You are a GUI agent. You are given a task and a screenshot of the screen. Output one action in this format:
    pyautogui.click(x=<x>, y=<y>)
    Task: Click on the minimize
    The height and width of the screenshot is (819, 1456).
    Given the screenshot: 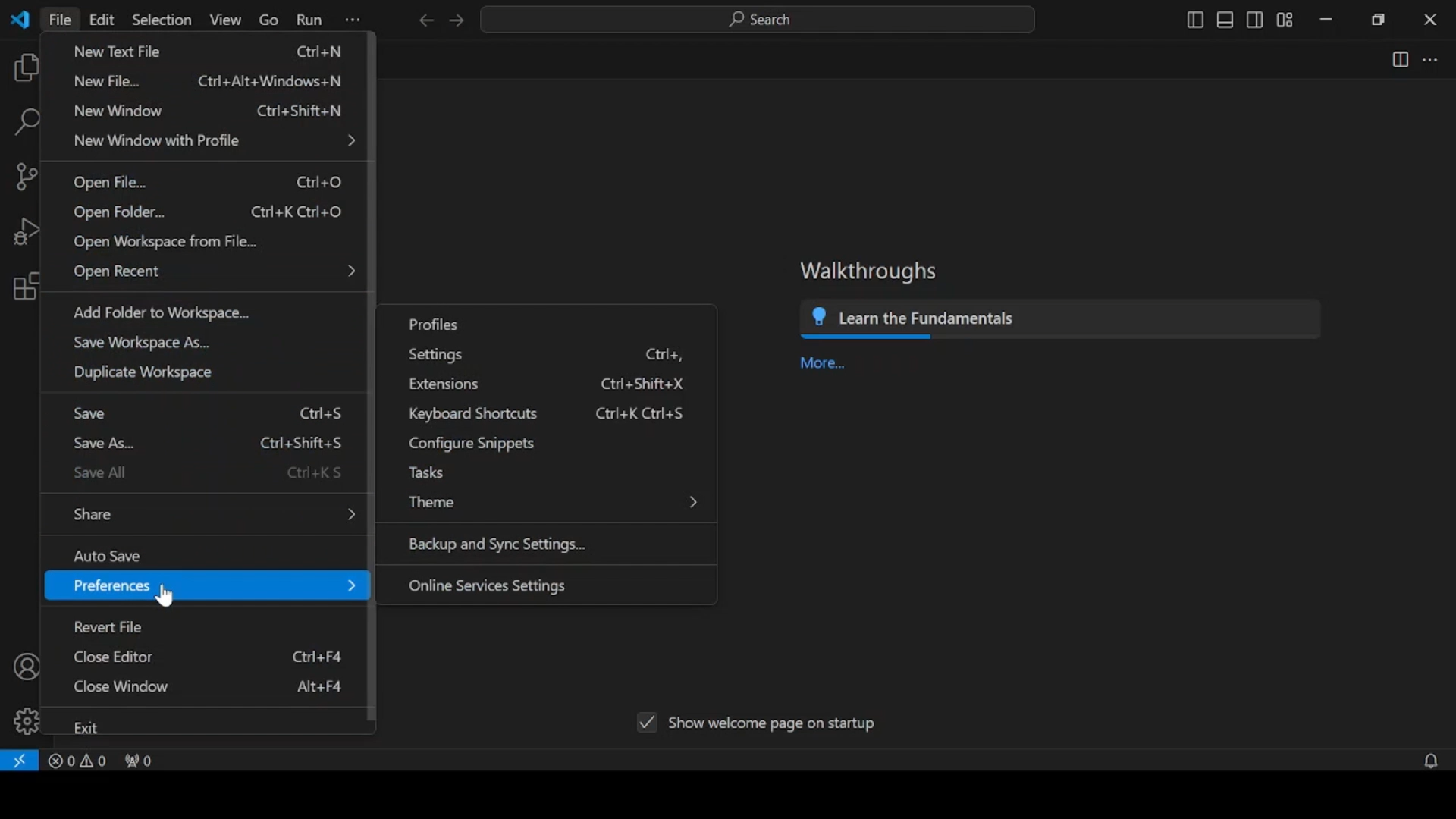 What is the action you would take?
    pyautogui.click(x=1329, y=19)
    